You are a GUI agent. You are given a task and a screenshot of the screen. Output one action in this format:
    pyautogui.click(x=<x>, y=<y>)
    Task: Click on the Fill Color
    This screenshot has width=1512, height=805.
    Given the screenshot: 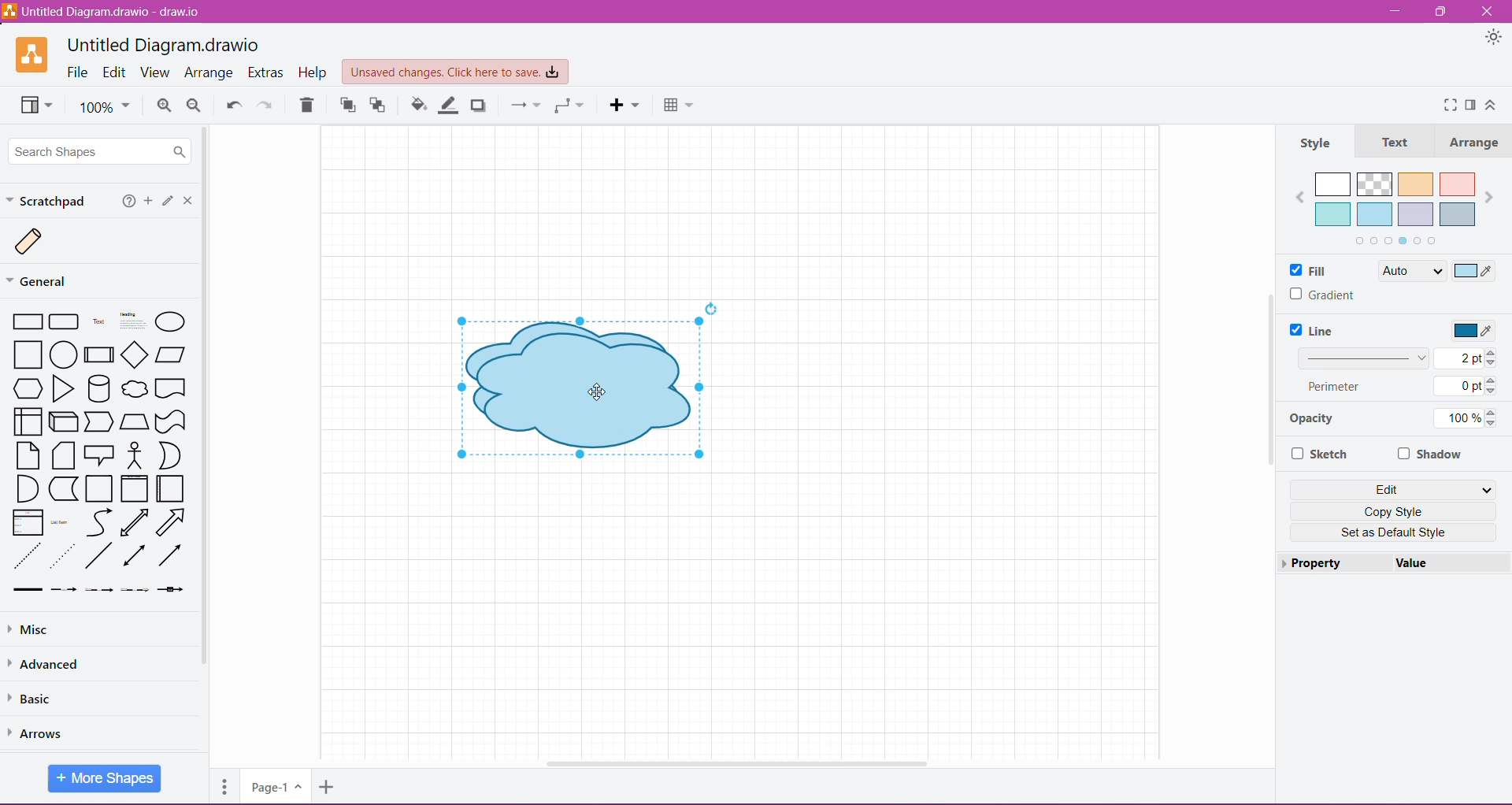 What is the action you would take?
    pyautogui.click(x=418, y=106)
    